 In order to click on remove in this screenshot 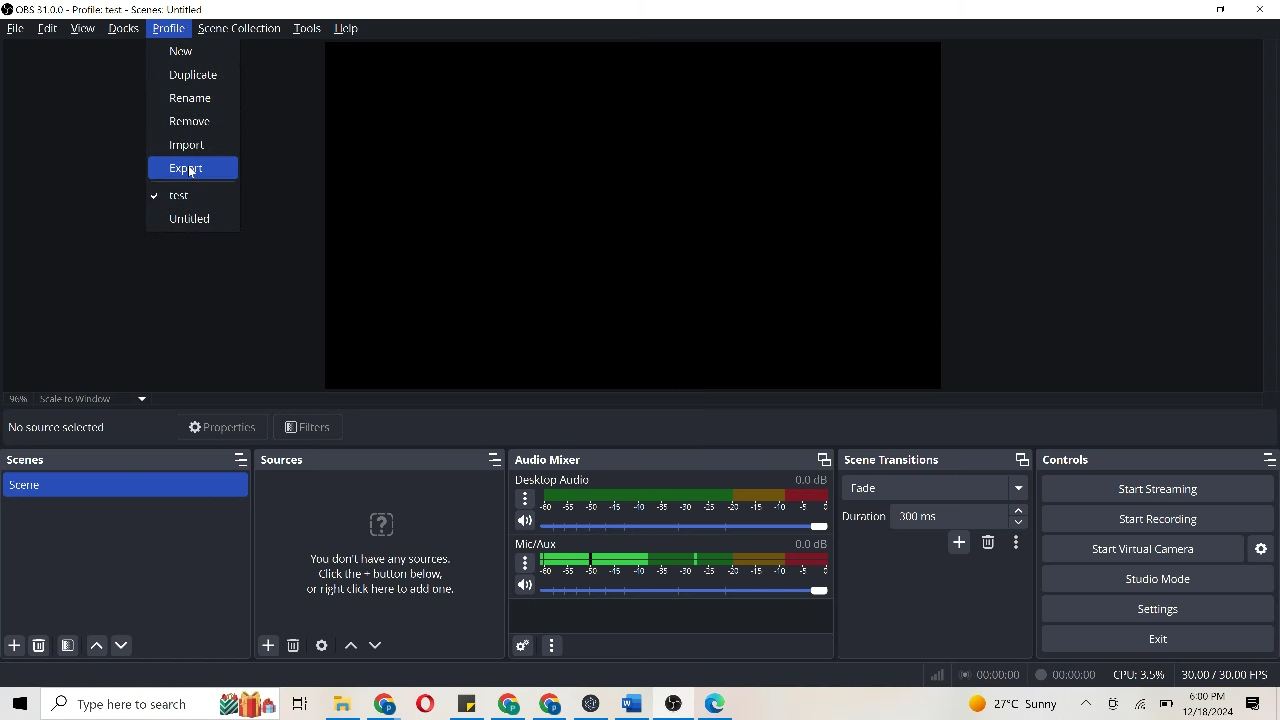, I will do `click(185, 119)`.